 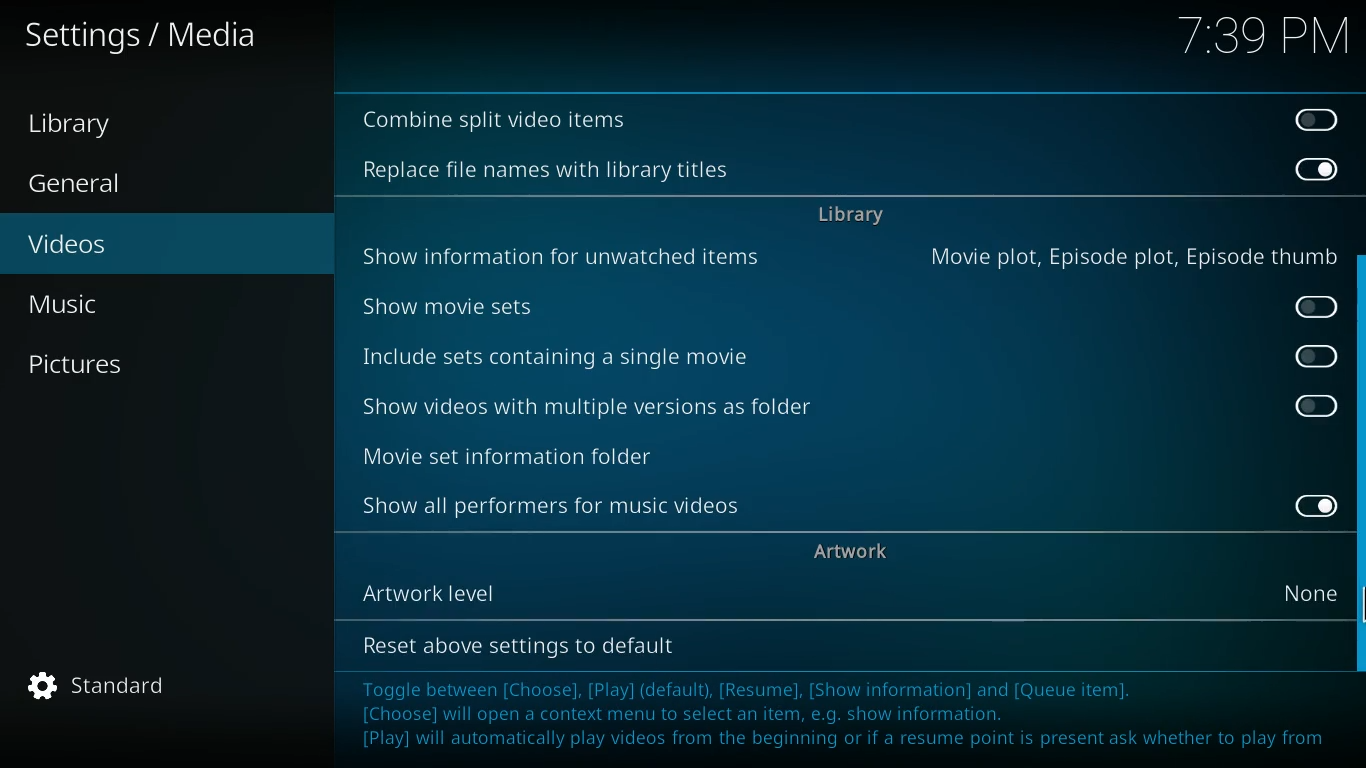 What do you see at coordinates (546, 171) in the screenshot?
I see `Replace file names with library titles` at bounding box center [546, 171].